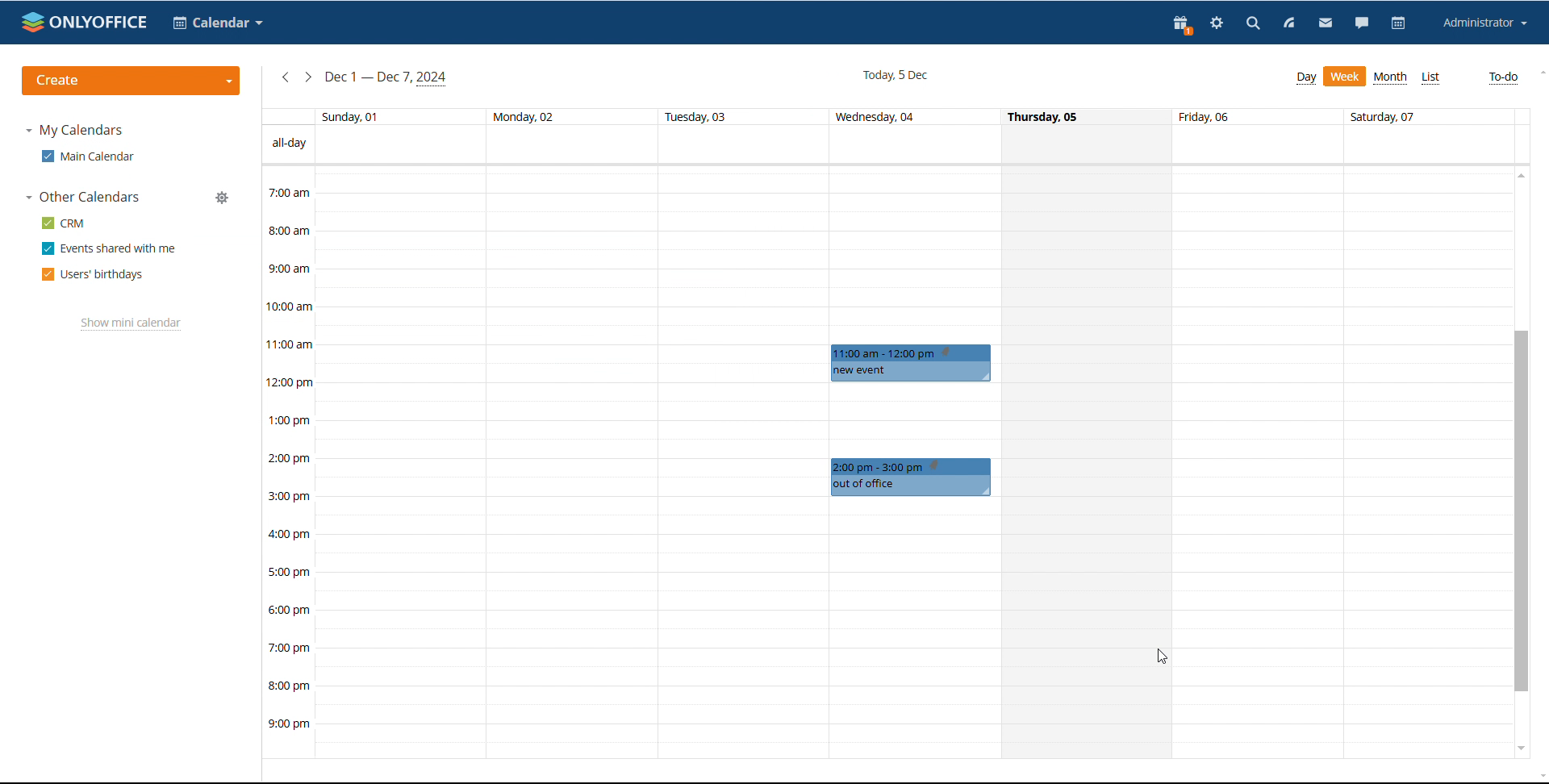  What do you see at coordinates (1519, 748) in the screenshot?
I see `scroll down` at bounding box center [1519, 748].